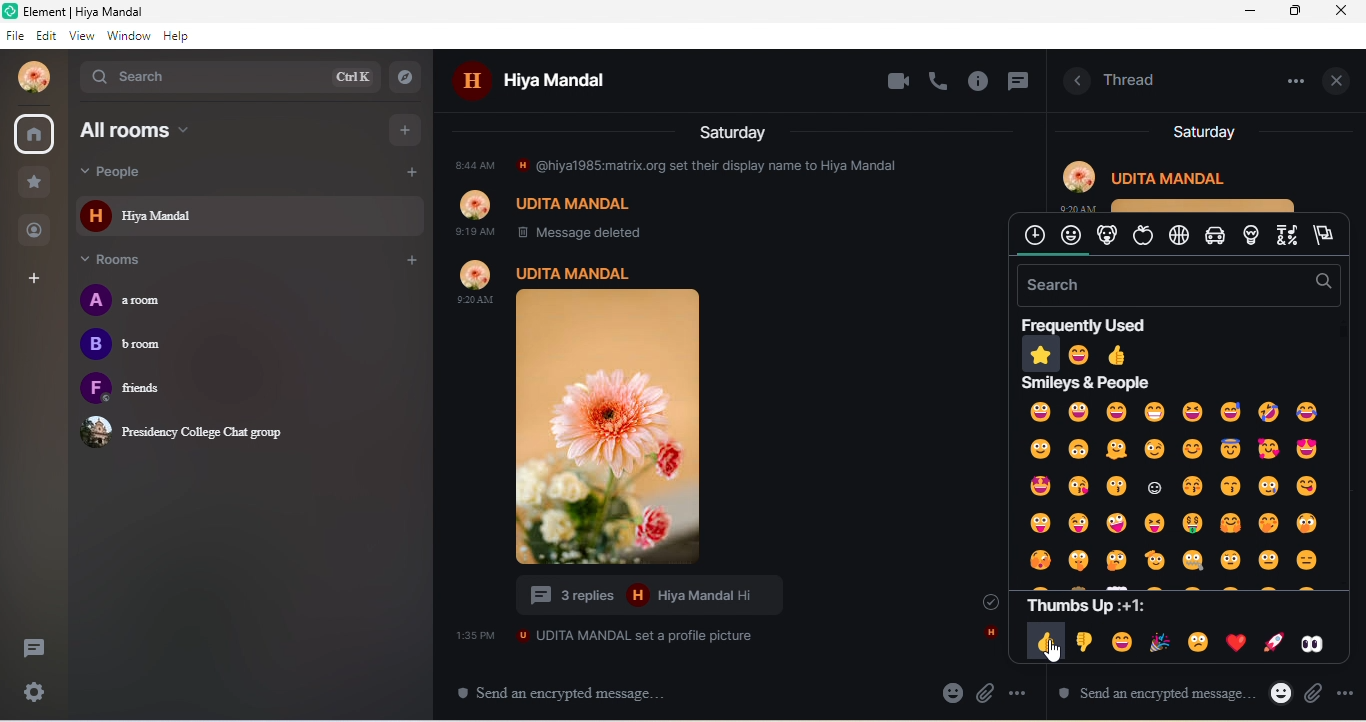 The height and width of the screenshot is (722, 1366). What do you see at coordinates (735, 131) in the screenshot?
I see `Saturday` at bounding box center [735, 131].